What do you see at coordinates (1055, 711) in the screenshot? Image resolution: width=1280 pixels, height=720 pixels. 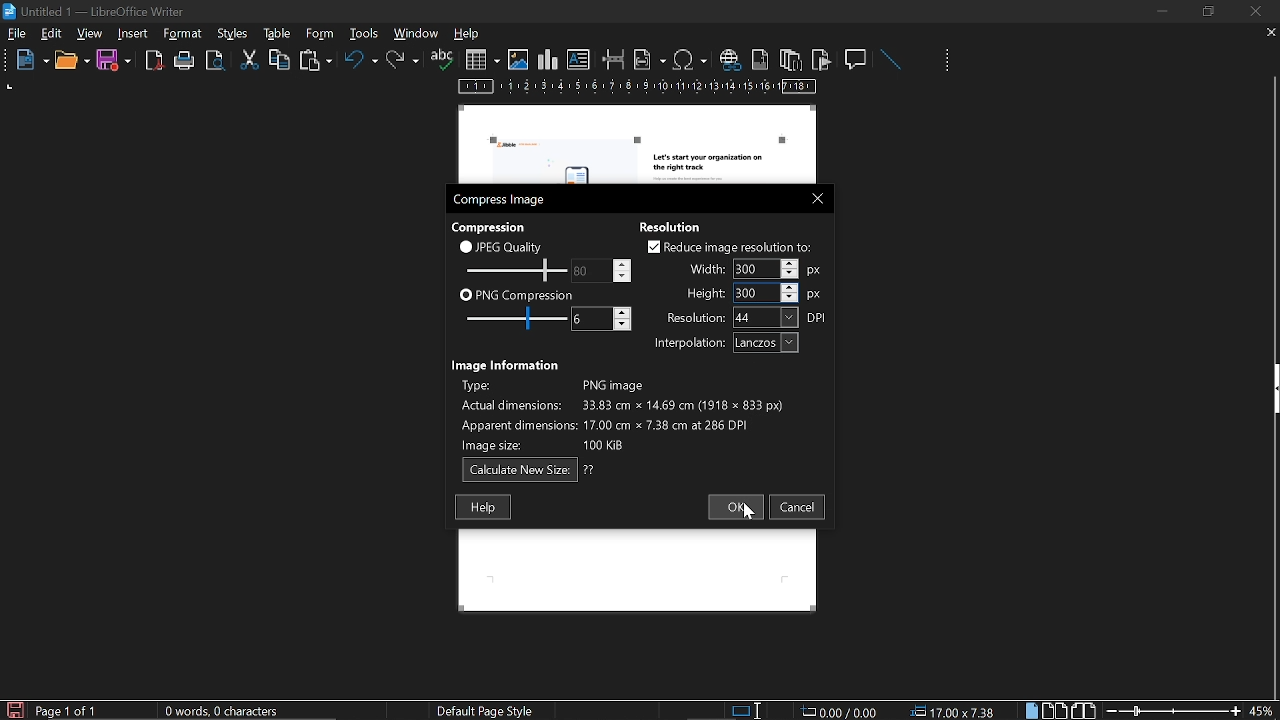 I see `multiple page view` at bounding box center [1055, 711].